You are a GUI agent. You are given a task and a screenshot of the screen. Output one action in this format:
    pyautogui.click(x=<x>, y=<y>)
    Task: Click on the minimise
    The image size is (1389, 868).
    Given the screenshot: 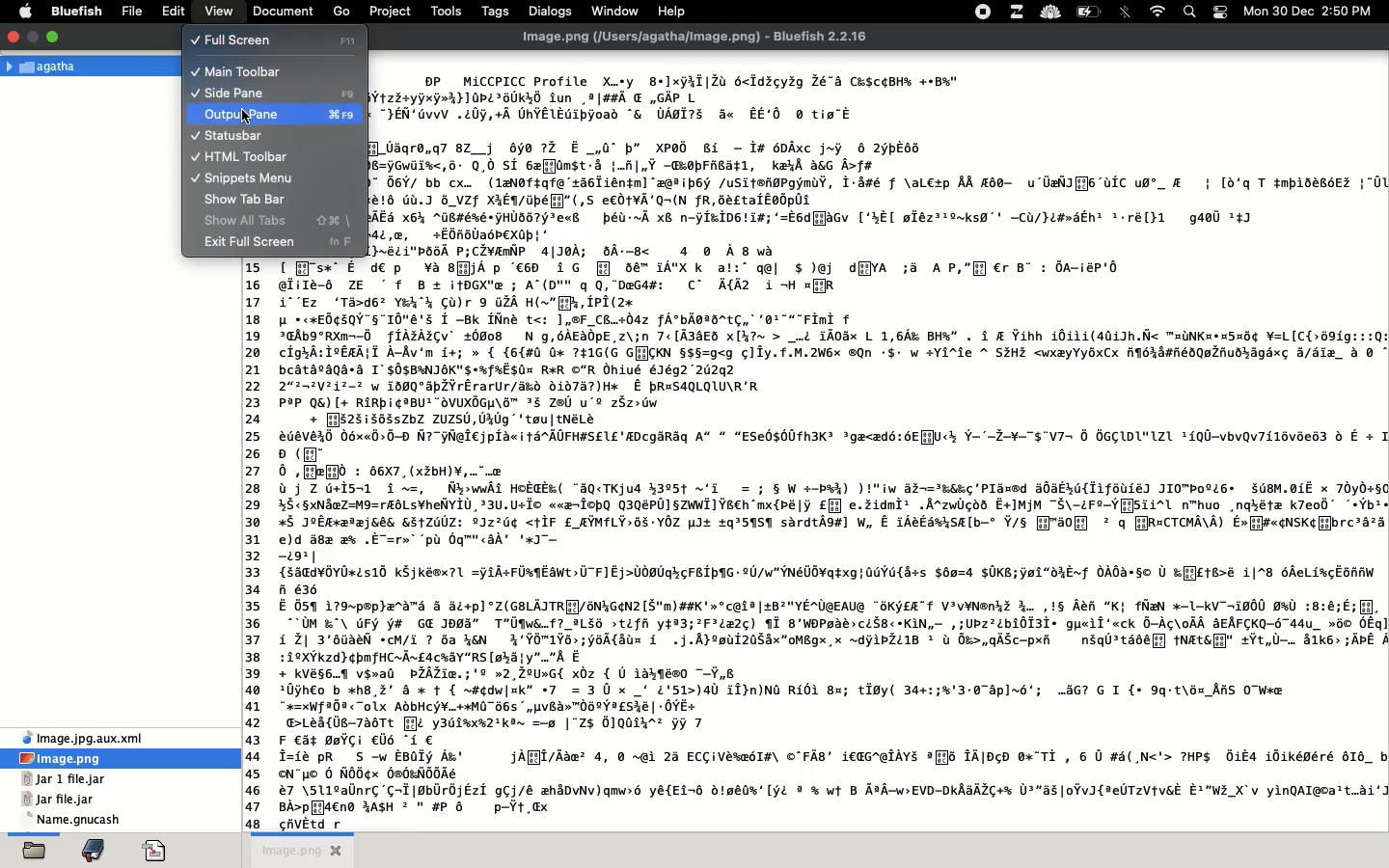 What is the action you would take?
    pyautogui.click(x=31, y=36)
    